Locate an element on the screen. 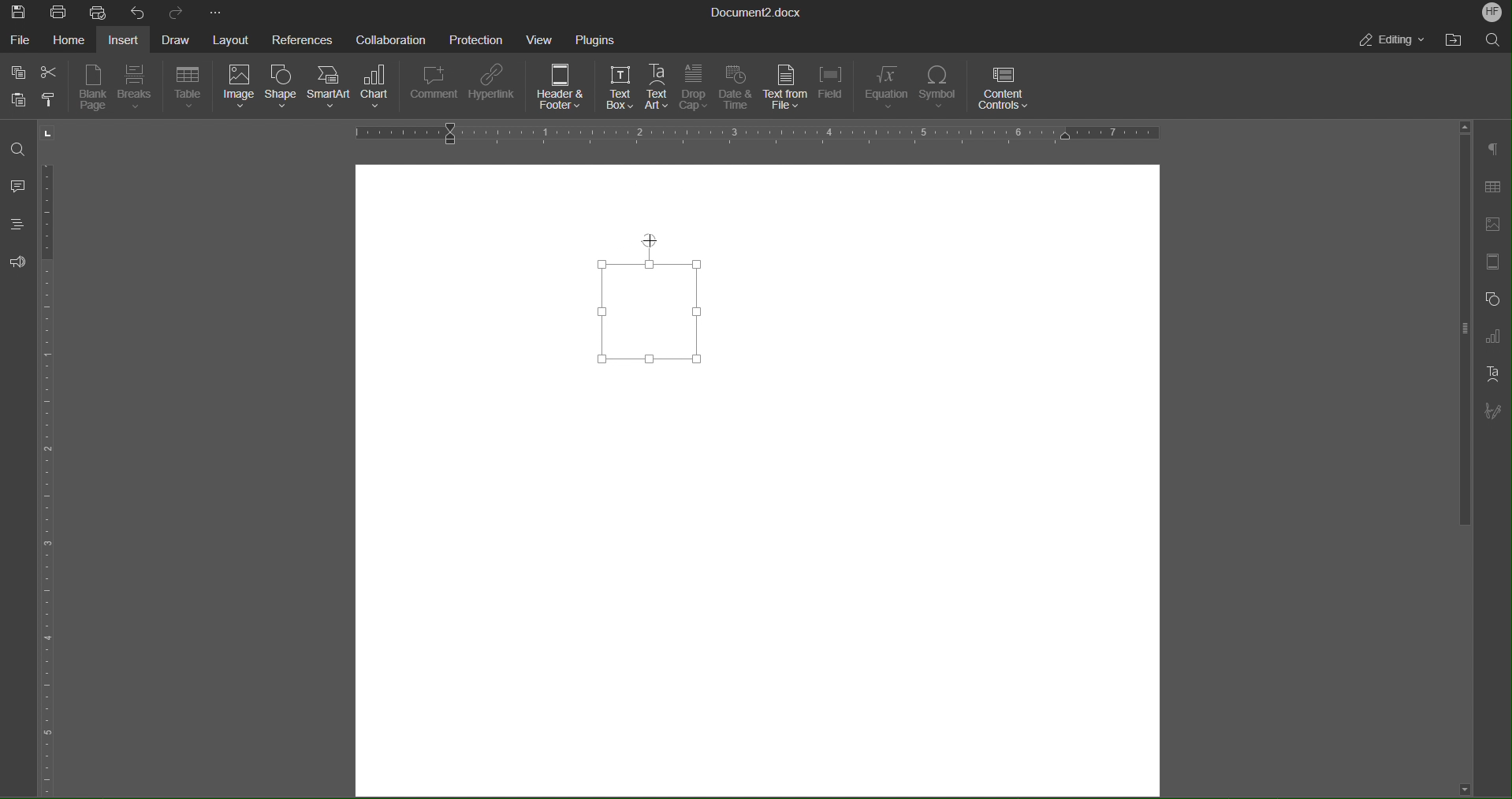  Comment is located at coordinates (434, 88).